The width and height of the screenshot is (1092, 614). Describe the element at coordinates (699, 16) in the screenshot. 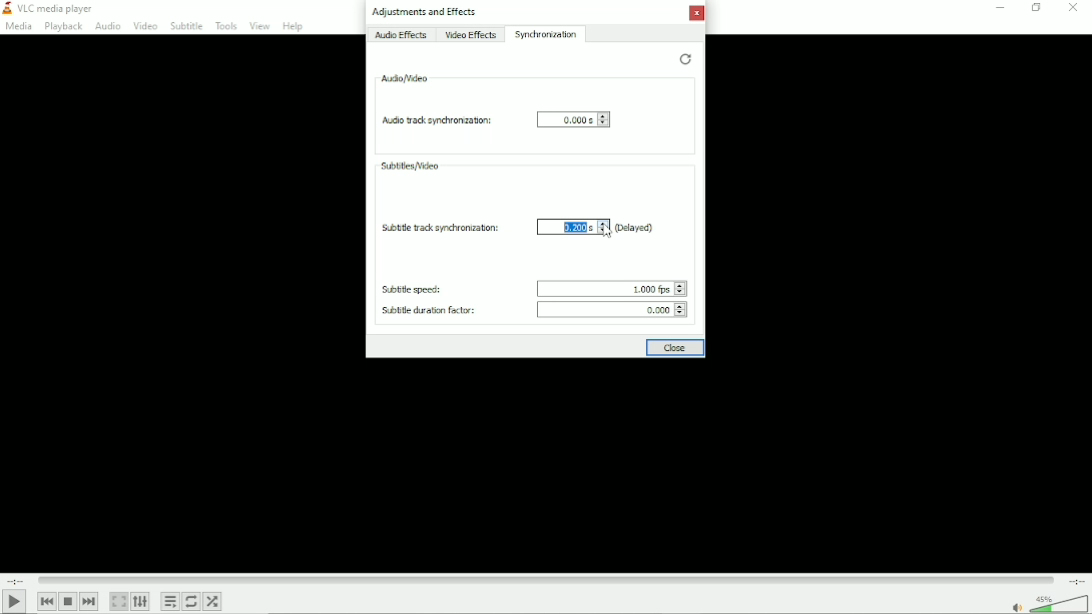

I see `Close` at that location.